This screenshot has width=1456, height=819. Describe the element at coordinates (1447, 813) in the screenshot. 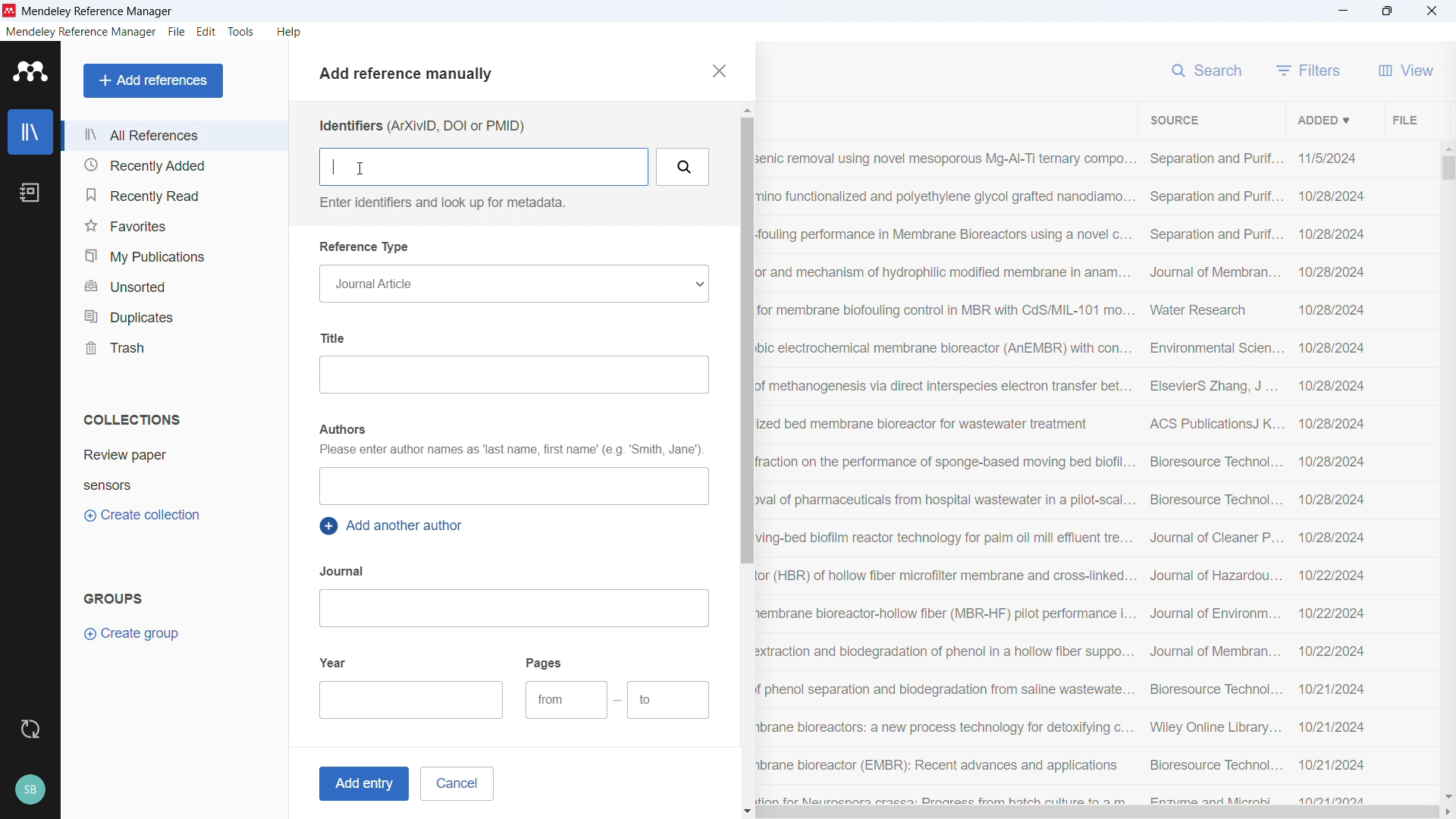

I see `Scroll right ` at that location.